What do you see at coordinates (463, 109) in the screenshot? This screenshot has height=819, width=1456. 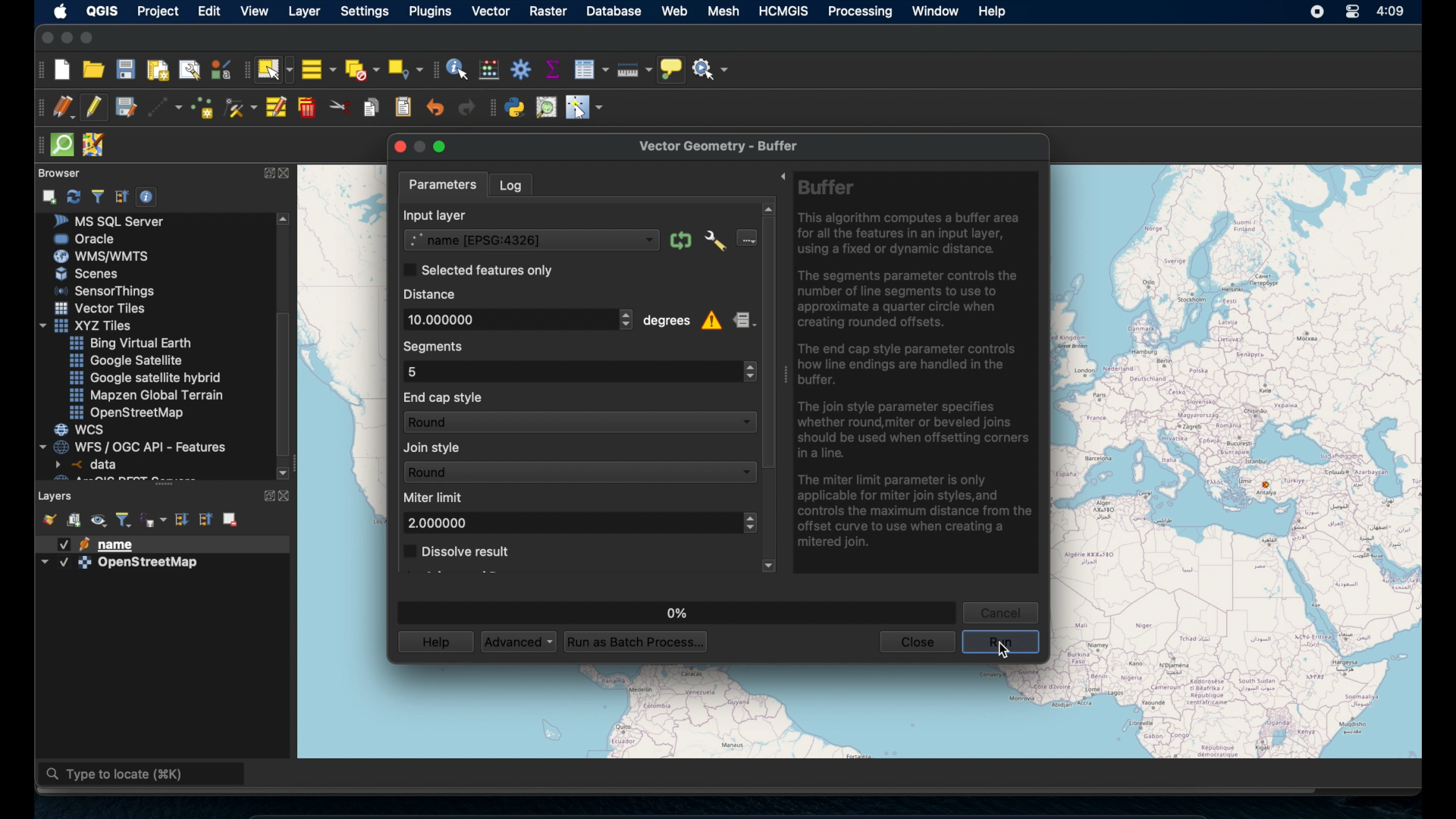 I see `redo` at bounding box center [463, 109].